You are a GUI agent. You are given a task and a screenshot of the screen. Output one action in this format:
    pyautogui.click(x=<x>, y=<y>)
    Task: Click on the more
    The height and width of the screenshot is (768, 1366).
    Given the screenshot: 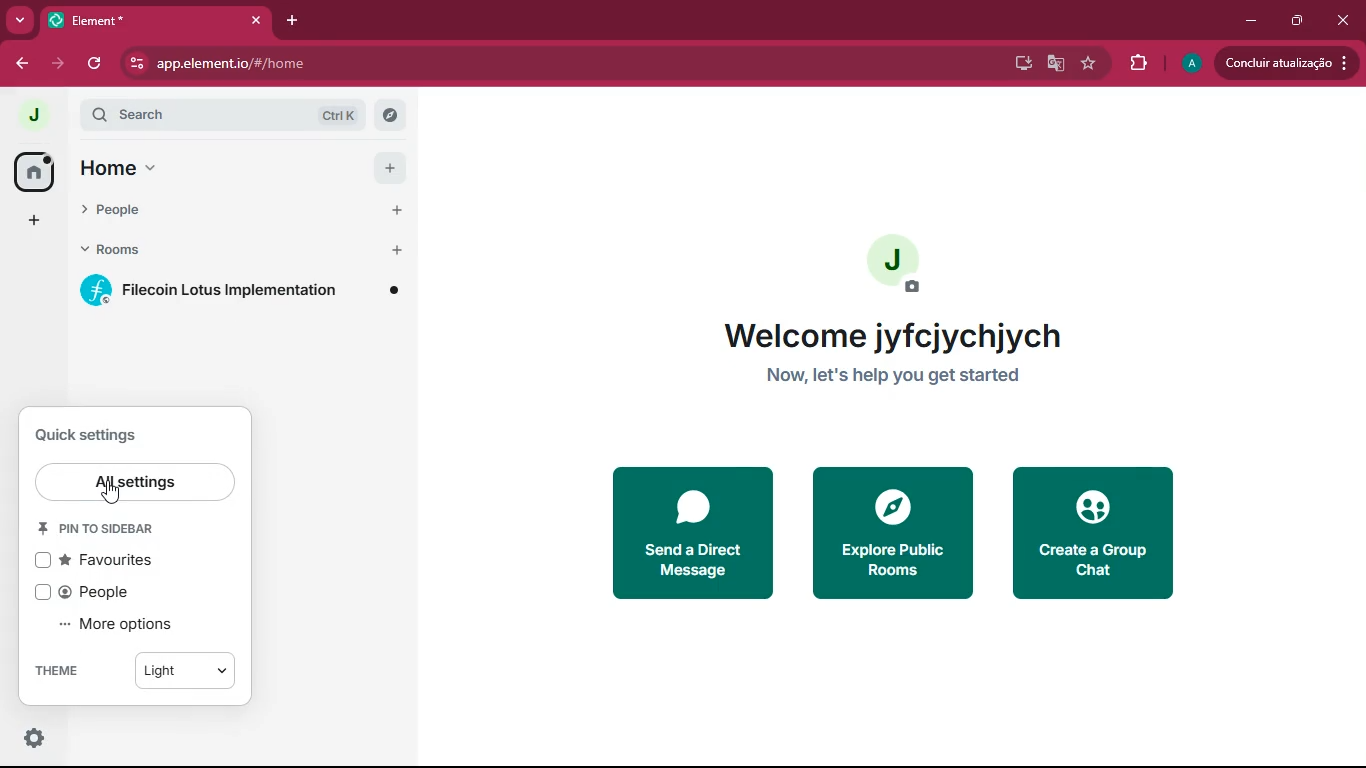 What is the action you would take?
    pyautogui.click(x=21, y=20)
    